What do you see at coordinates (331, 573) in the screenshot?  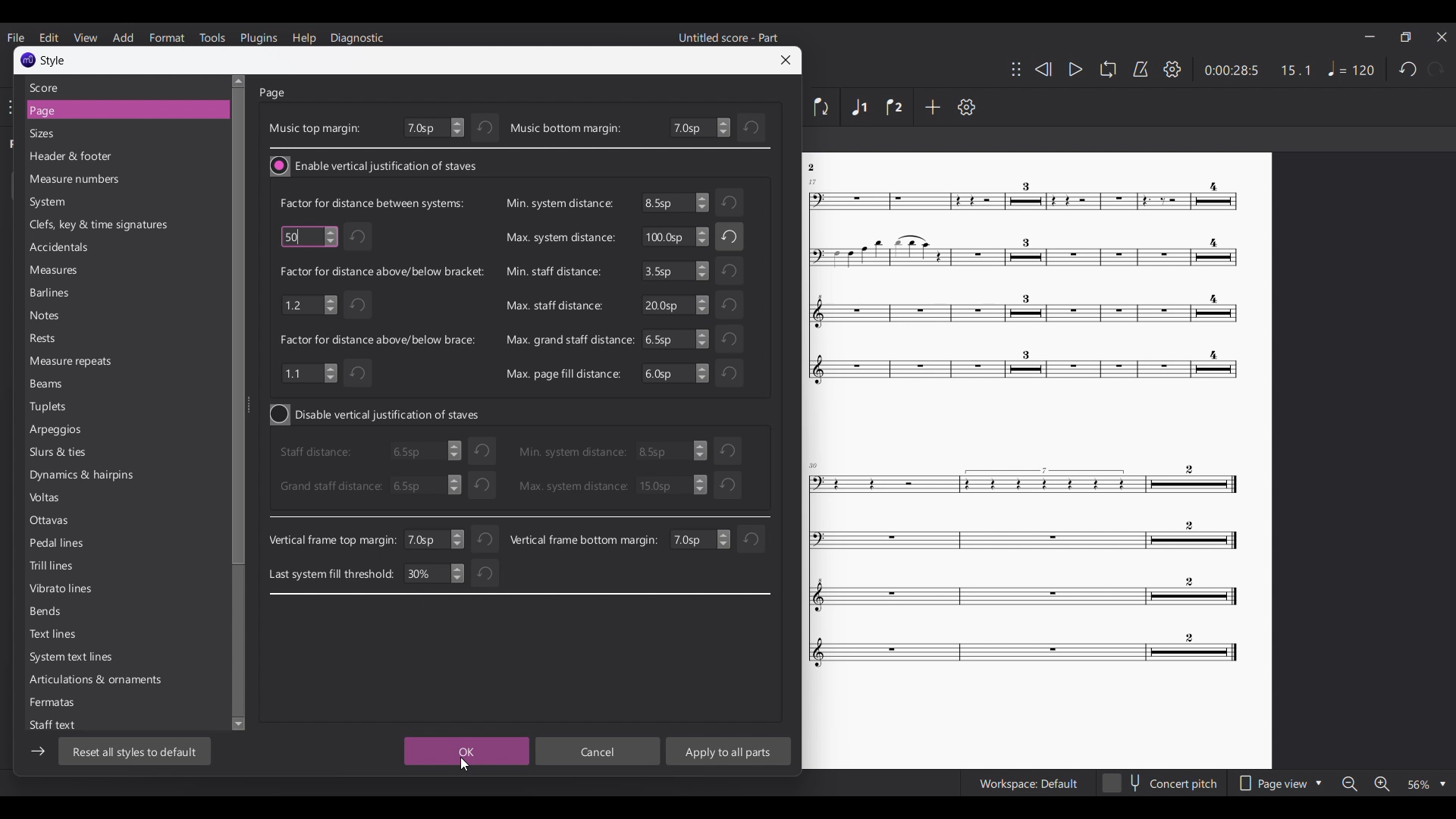 I see `Last system fill threshold` at bounding box center [331, 573].